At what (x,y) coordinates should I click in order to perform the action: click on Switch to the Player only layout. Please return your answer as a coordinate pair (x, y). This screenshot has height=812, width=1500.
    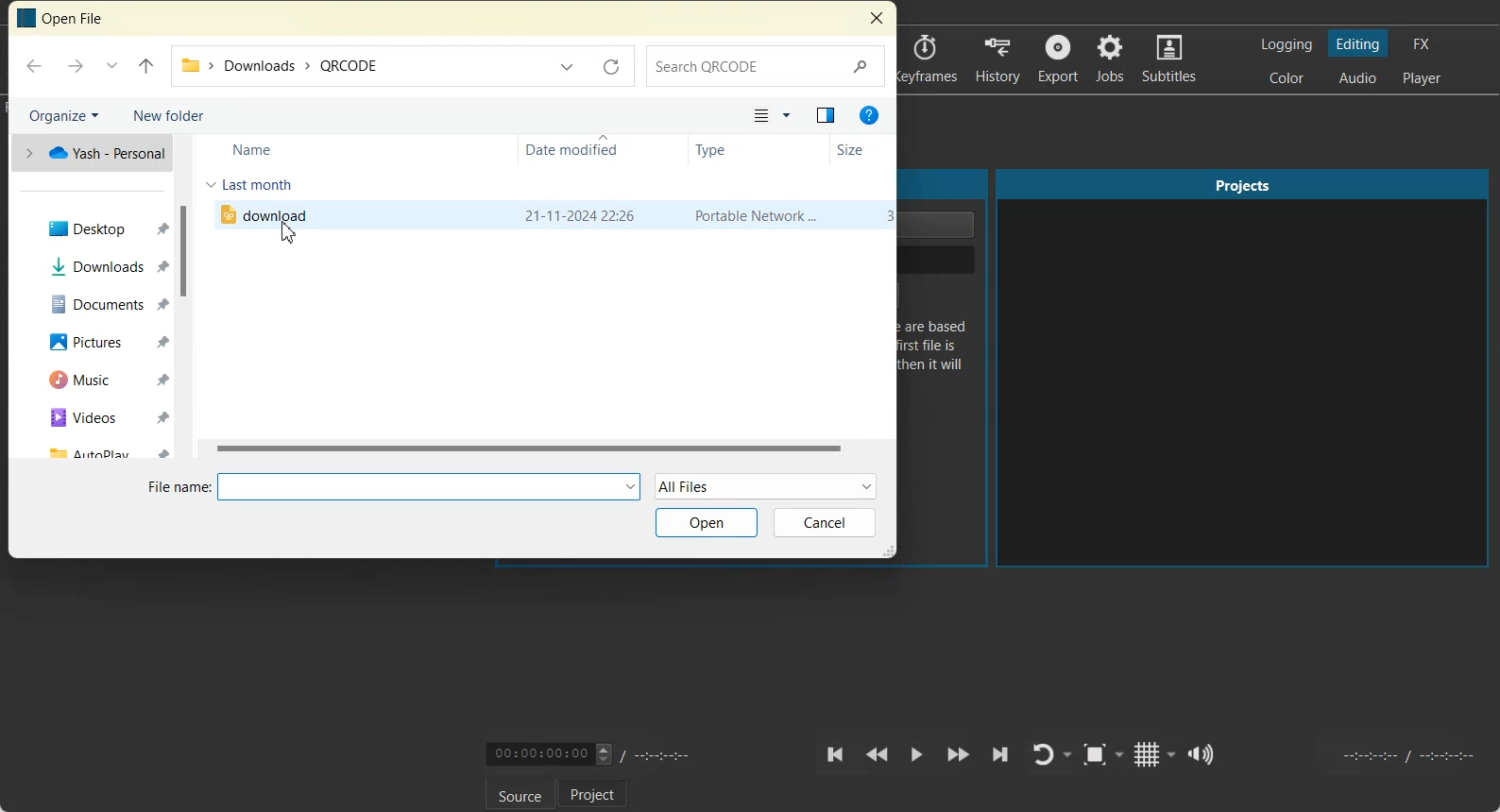
    Looking at the image, I should click on (1423, 79).